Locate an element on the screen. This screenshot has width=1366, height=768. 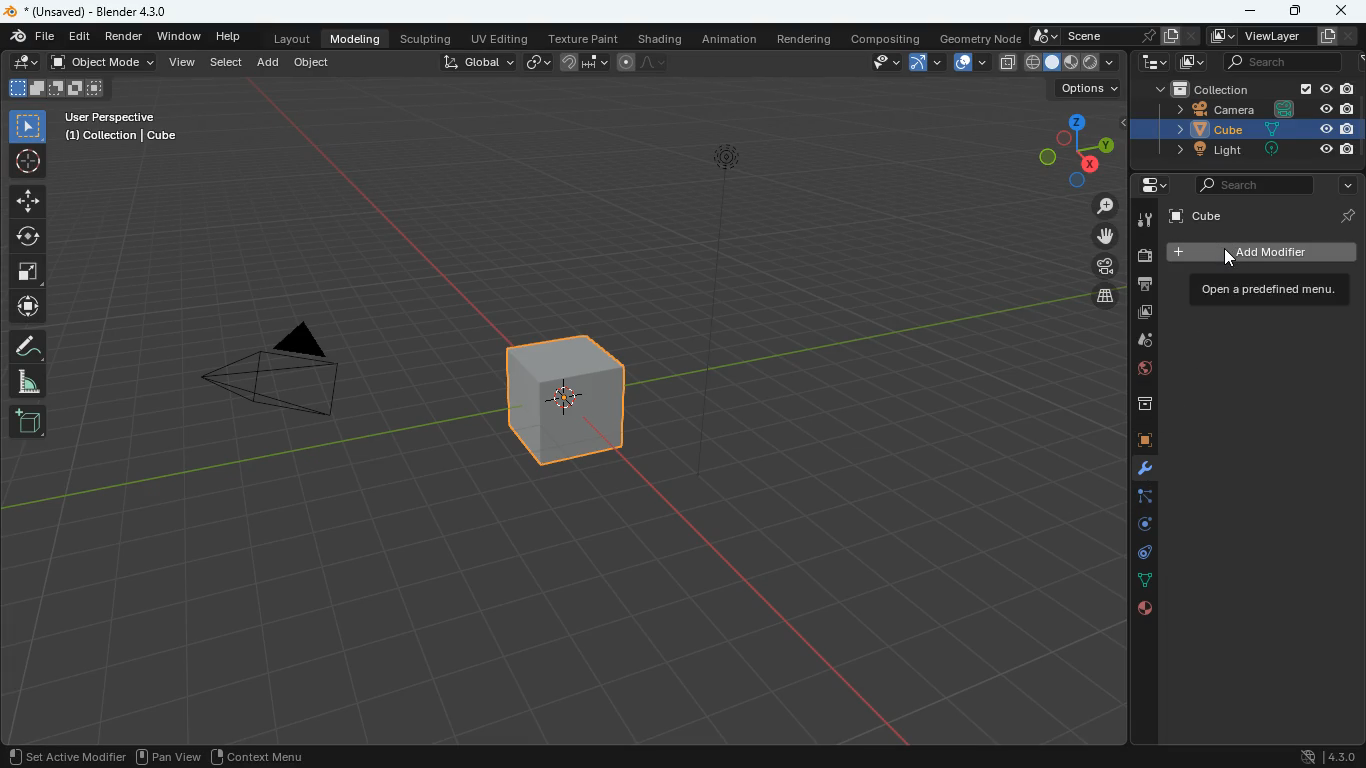
light is located at coordinates (1196, 150).